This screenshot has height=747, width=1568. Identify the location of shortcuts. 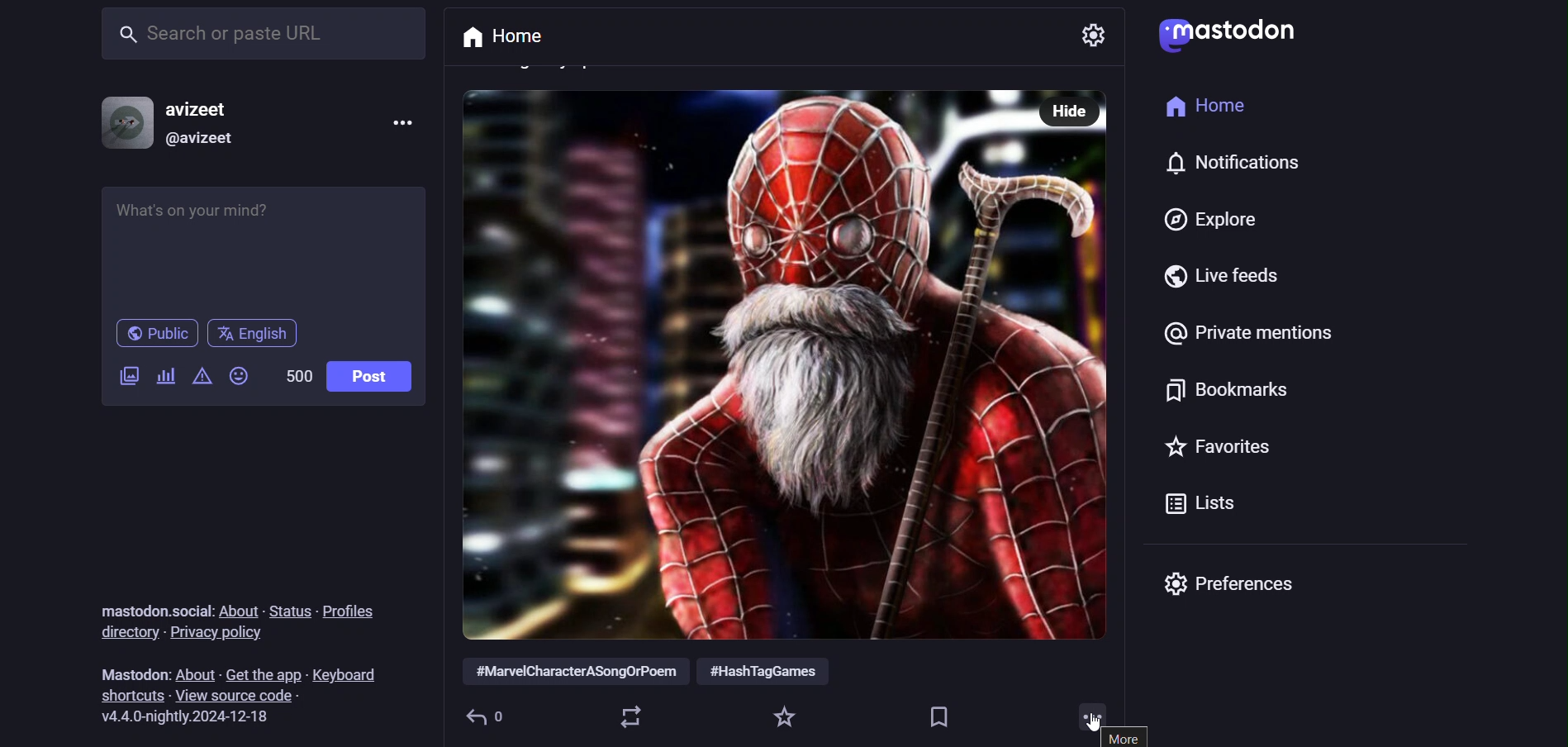
(133, 695).